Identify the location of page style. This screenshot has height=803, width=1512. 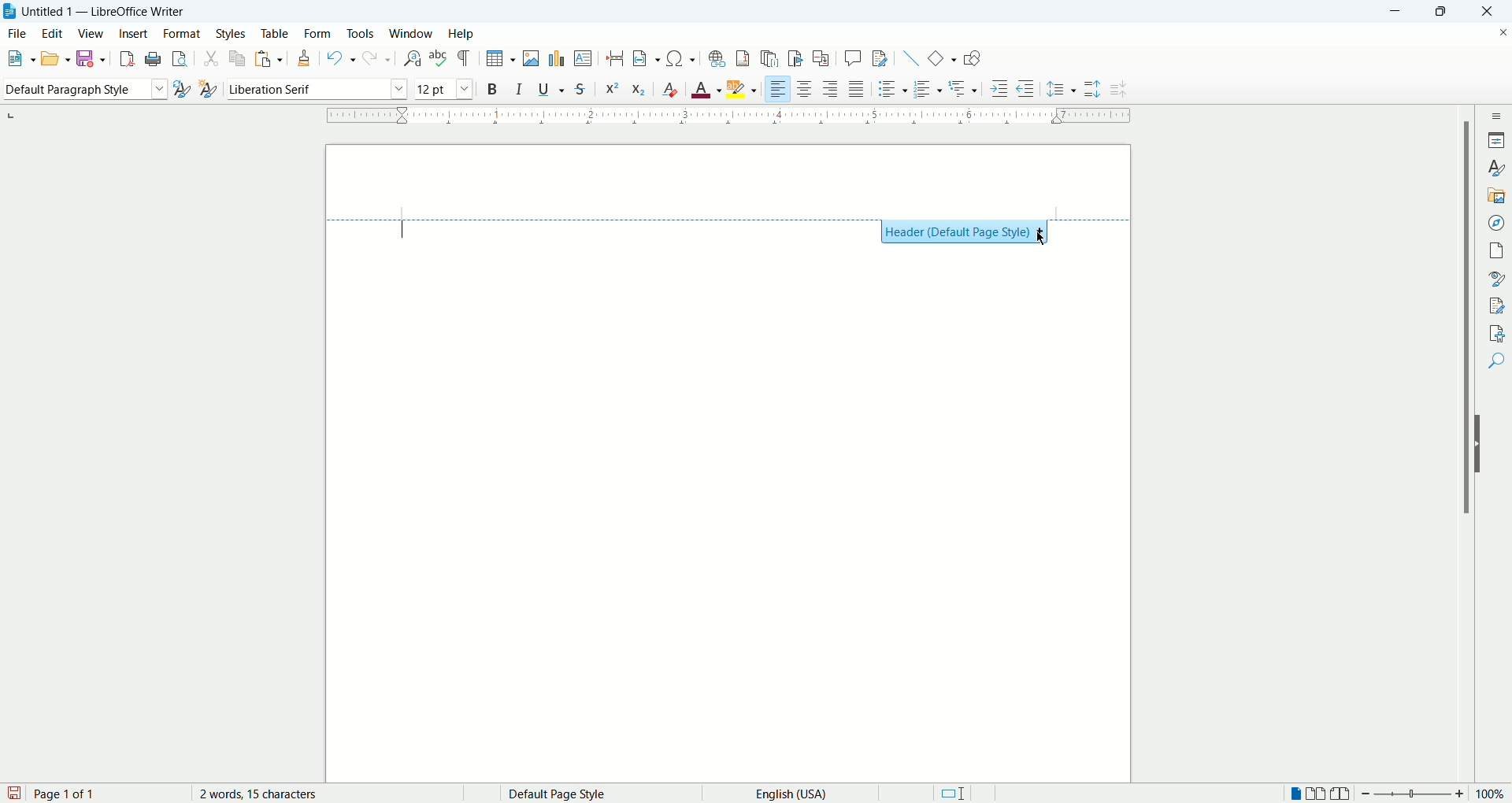
(592, 792).